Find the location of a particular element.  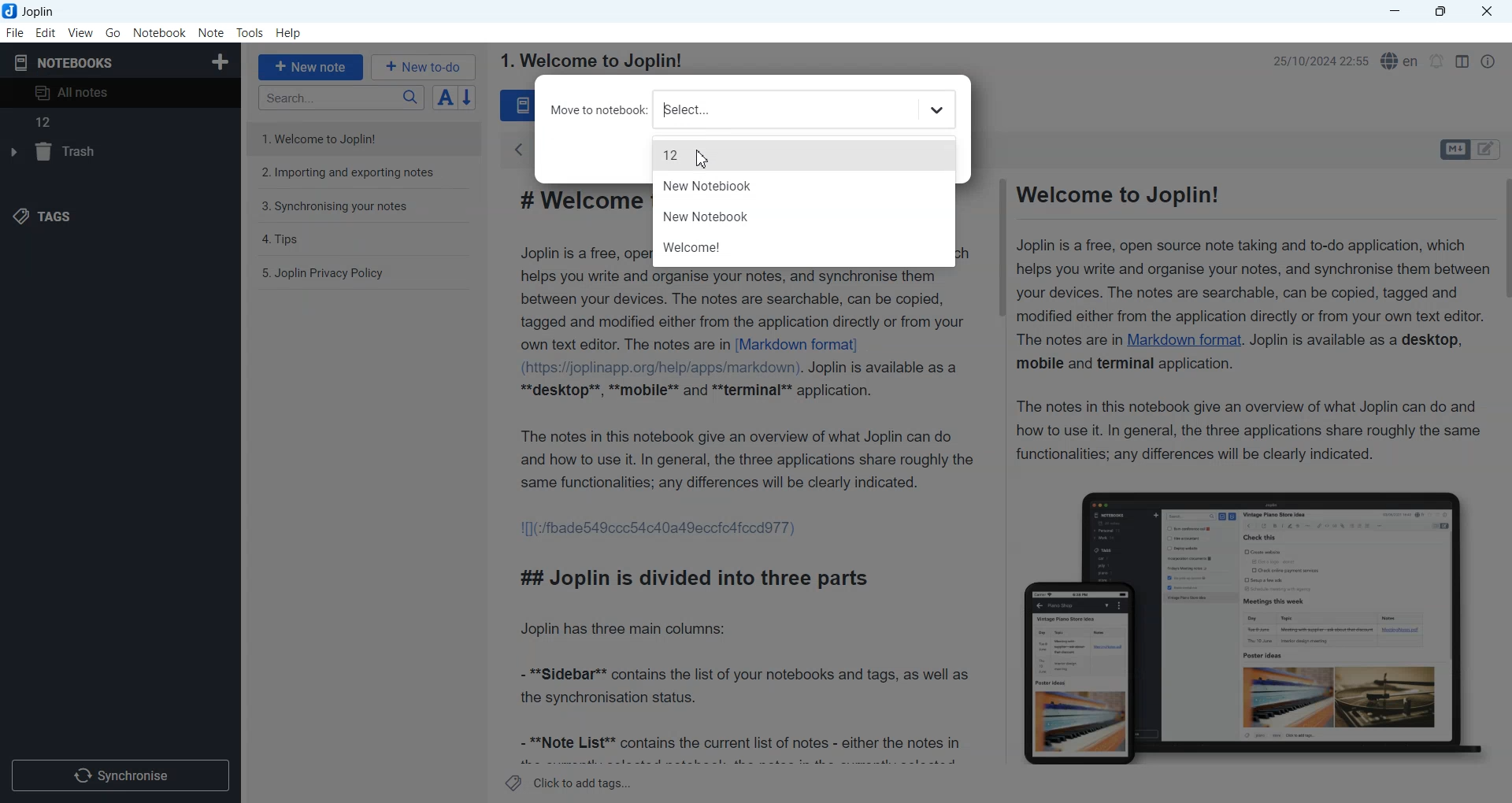

5. Joplin Privacy Policy is located at coordinates (324, 273).